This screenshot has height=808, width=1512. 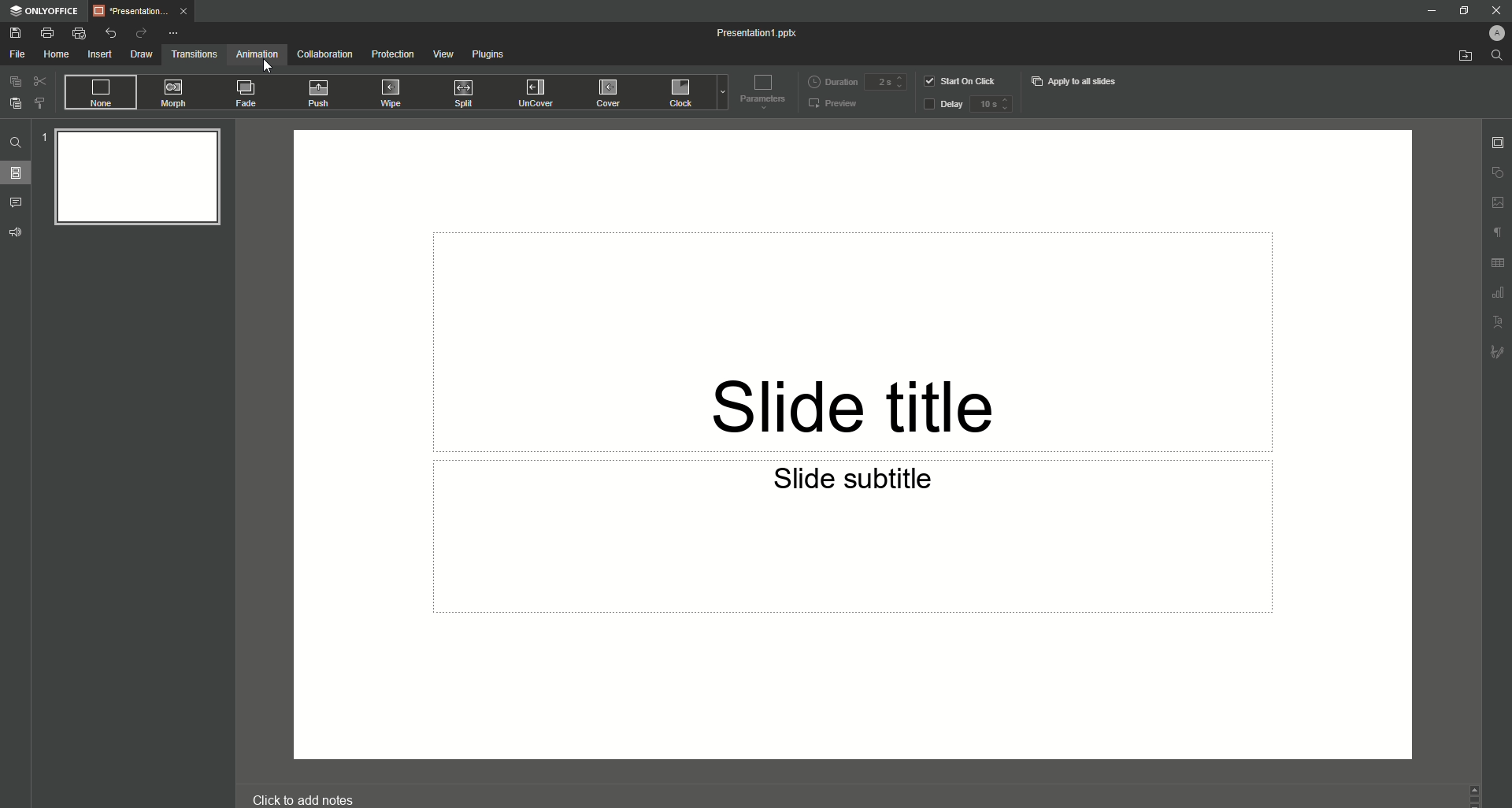 What do you see at coordinates (1496, 204) in the screenshot?
I see `Image Settings` at bounding box center [1496, 204].